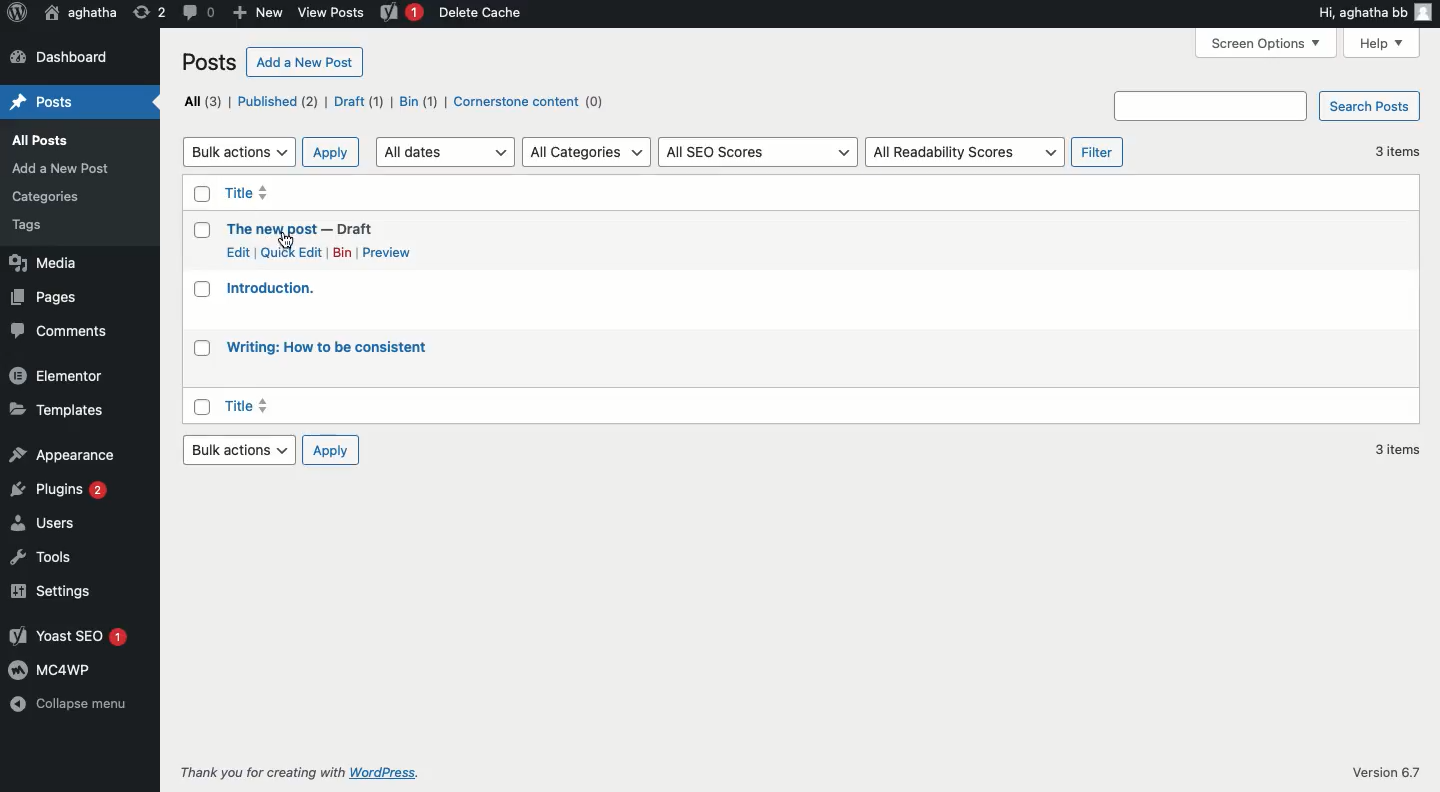 The width and height of the screenshot is (1440, 792). Describe the element at coordinates (47, 558) in the screenshot. I see `Tools` at that location.